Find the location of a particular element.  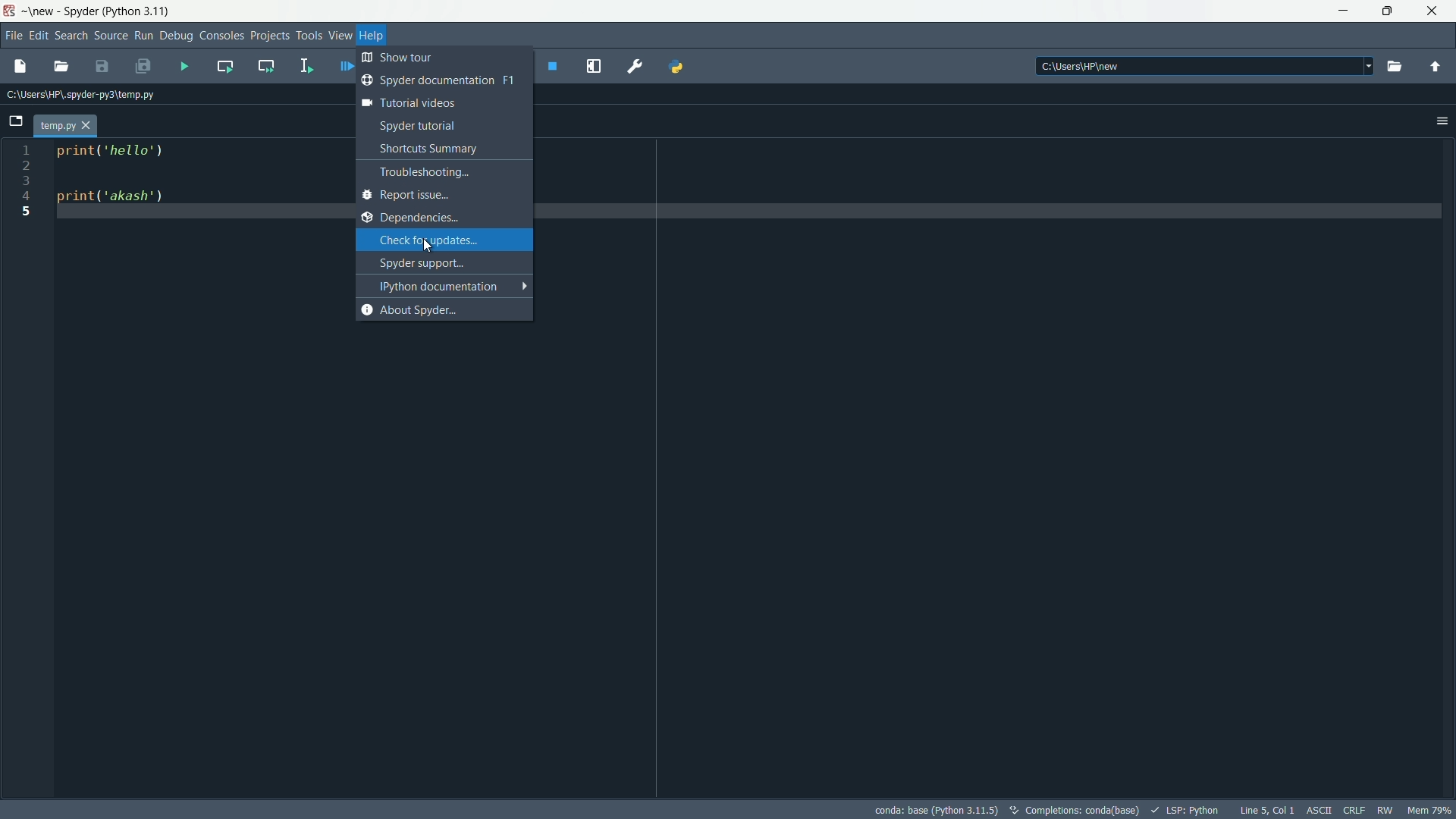

app name  is located at coordinates (82, 11).